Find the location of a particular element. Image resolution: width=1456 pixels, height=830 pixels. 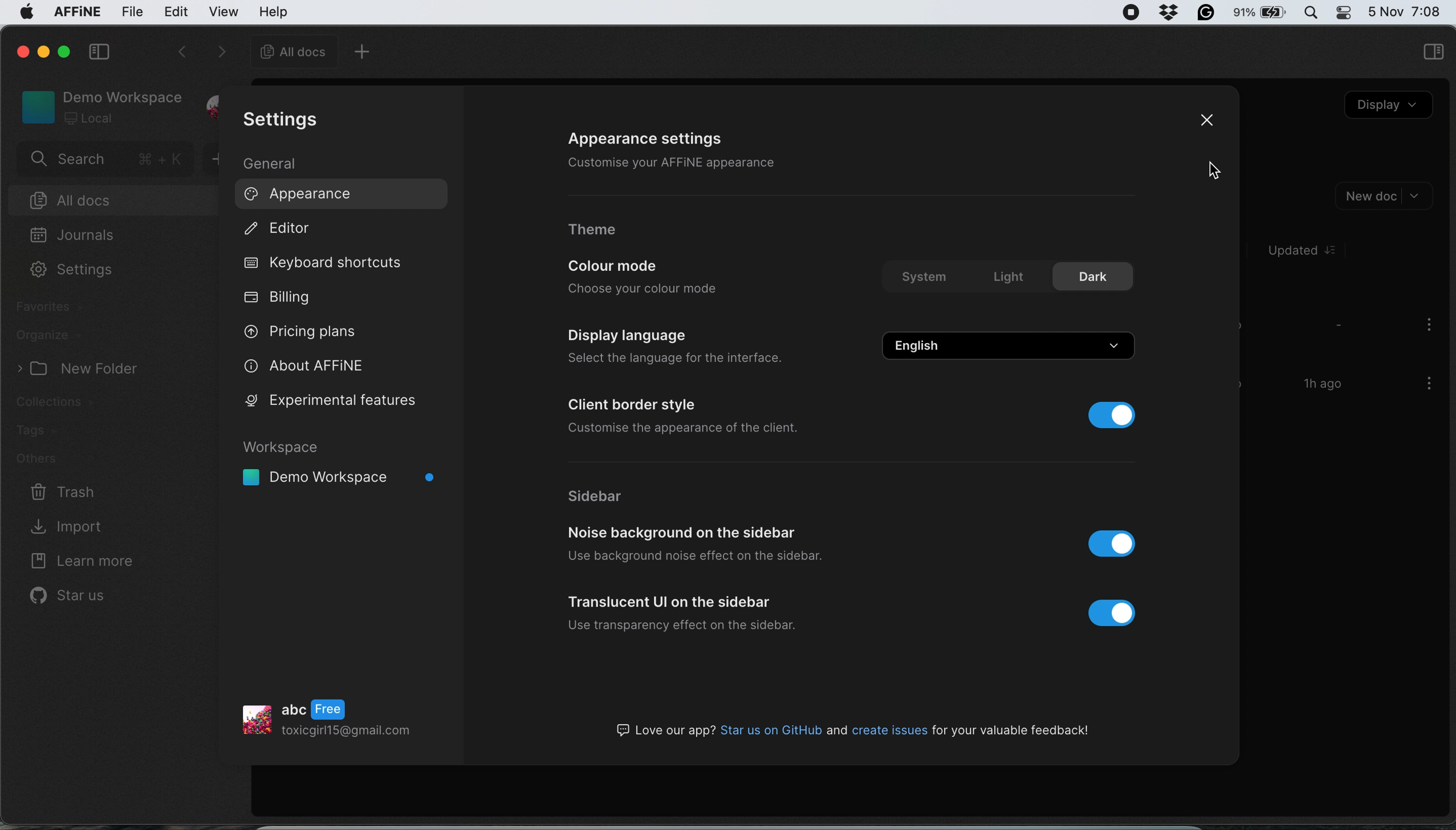

appearance settings is located at coordinates (664, 140).